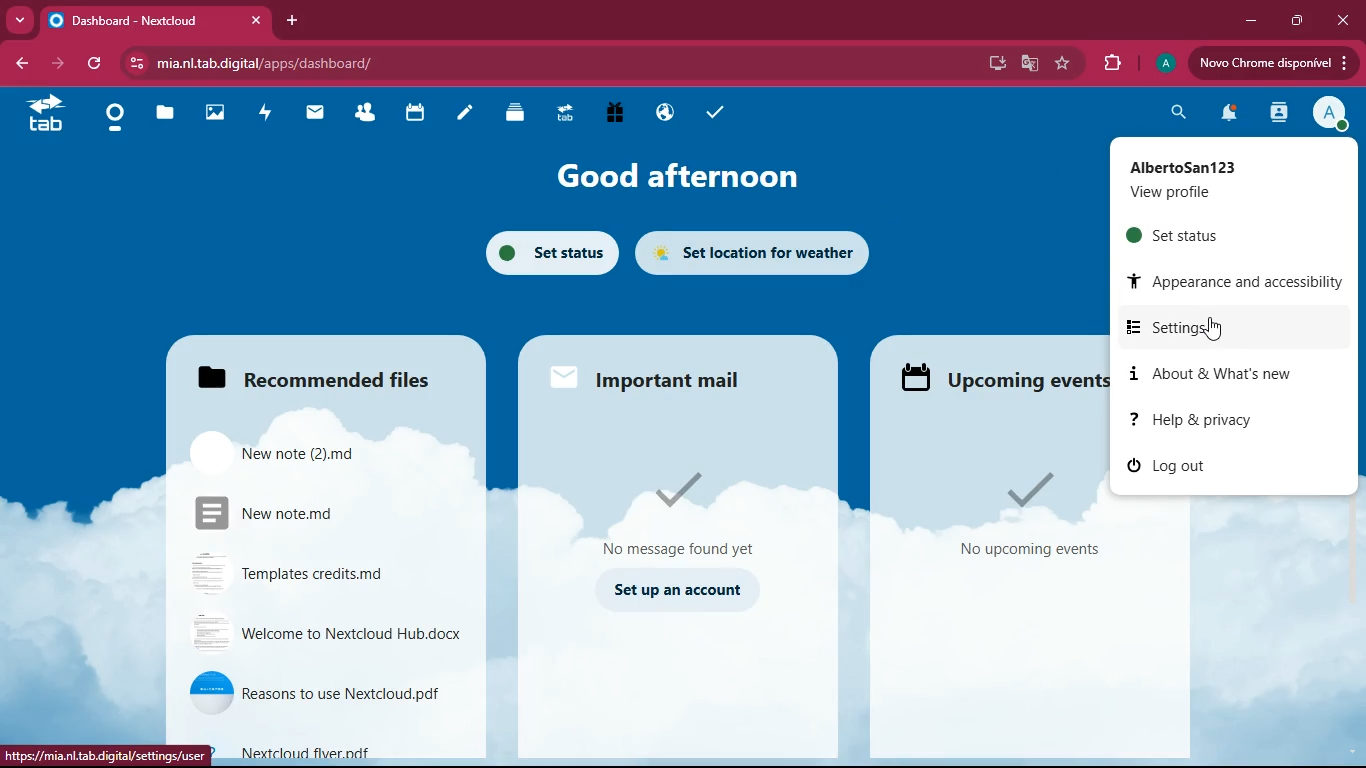 The width and height of the screenshot is (1366, 768). What do you see at coordinates (1177, 112) in the screenshot?
I see `search` at bounding box center [1177, 112].